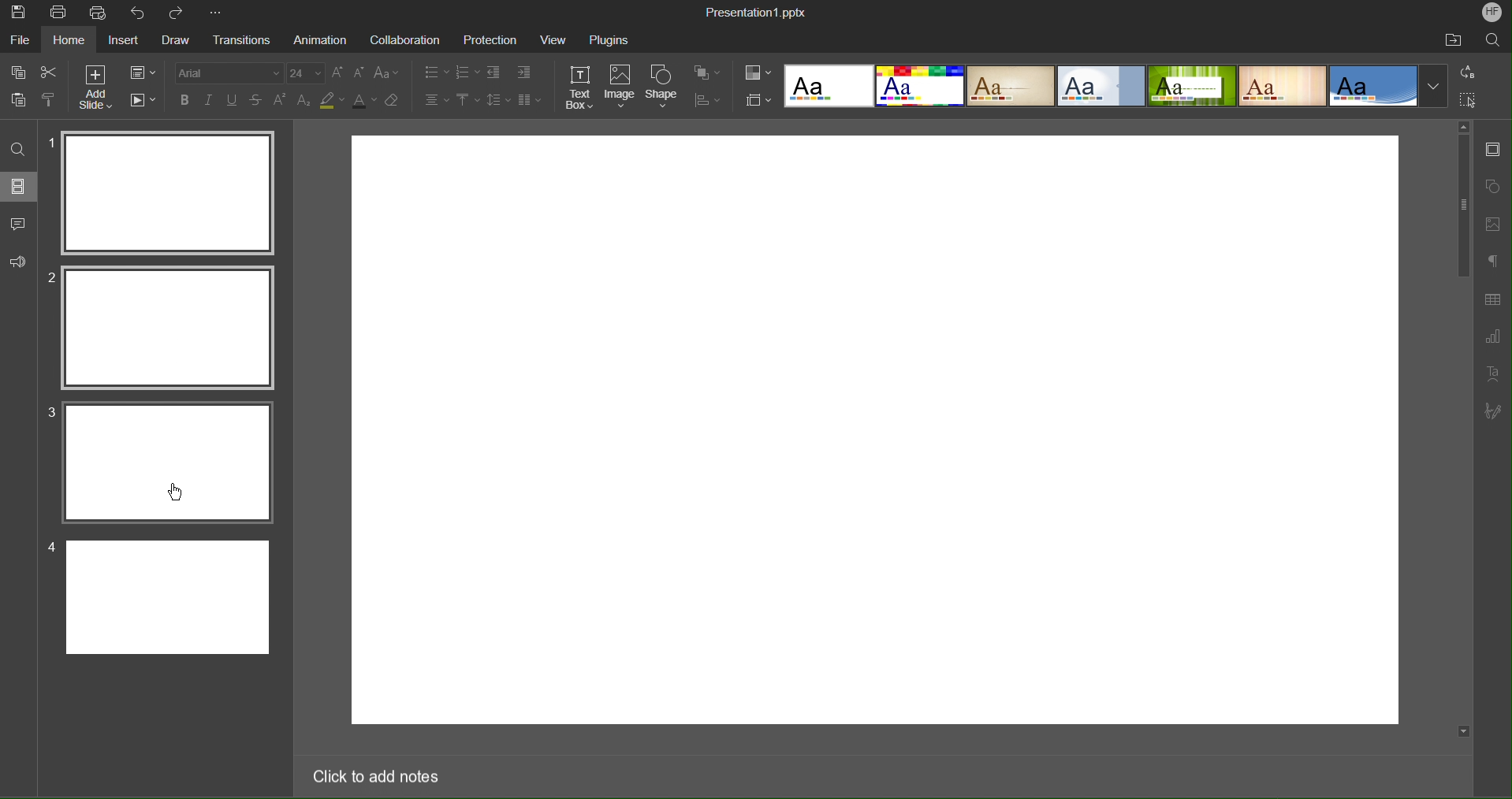  Describe the element at coordinates (182, 99) in the screenshot. I see `bold` at that location.